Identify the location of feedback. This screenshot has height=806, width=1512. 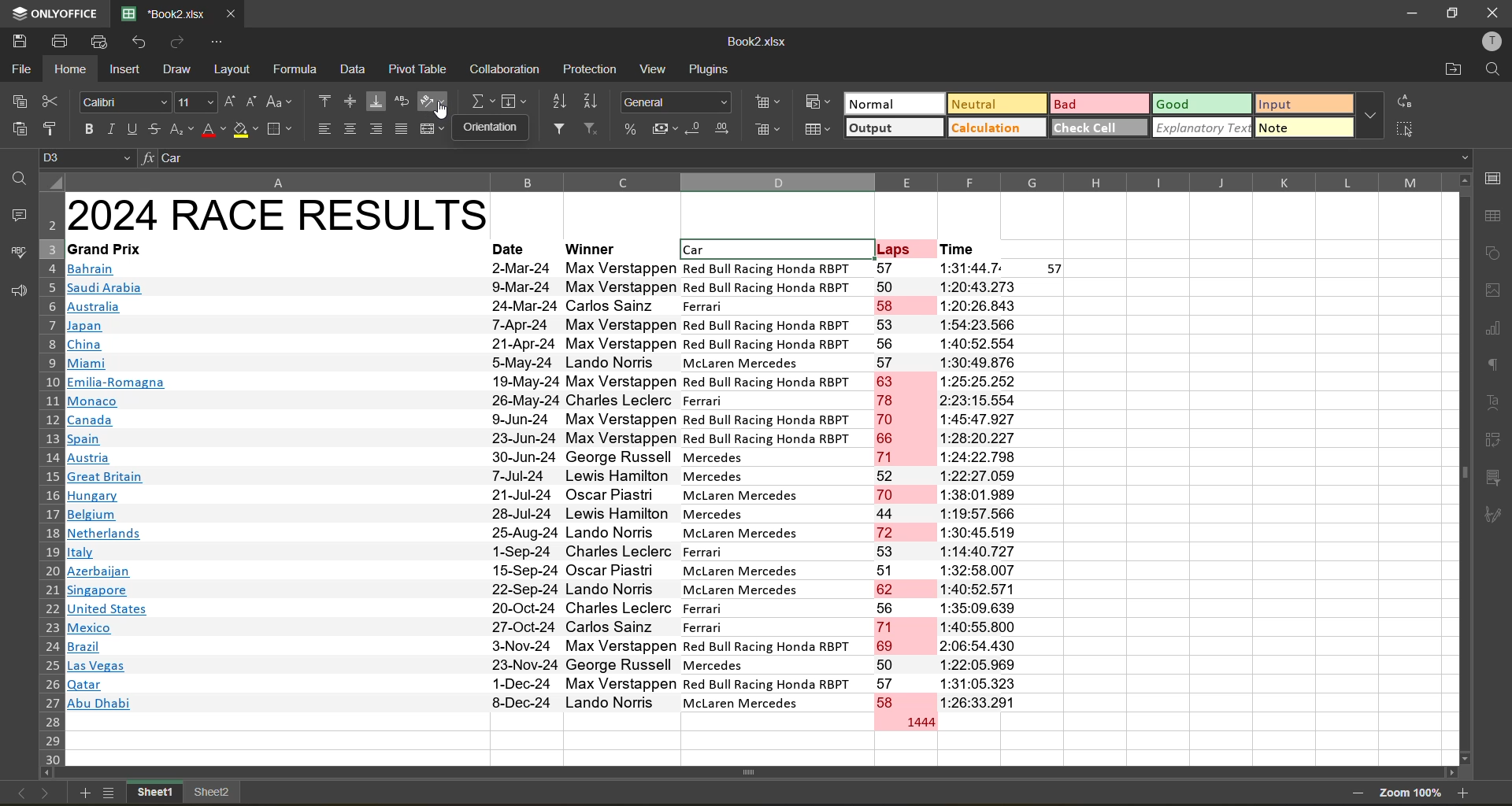
(16, 292).